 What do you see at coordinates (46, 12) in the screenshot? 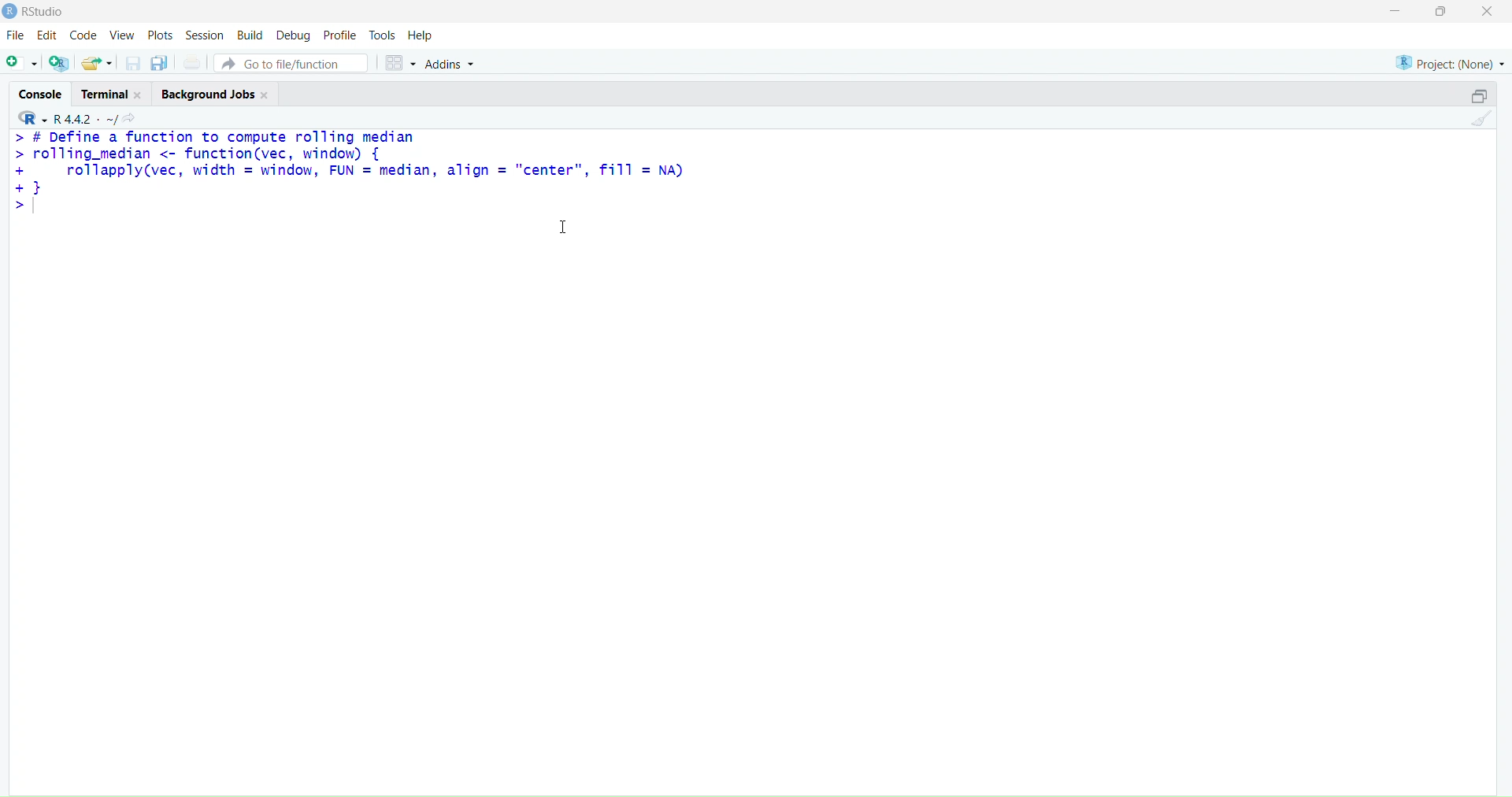
I see `RStudio` at bounding box center [46, 12].